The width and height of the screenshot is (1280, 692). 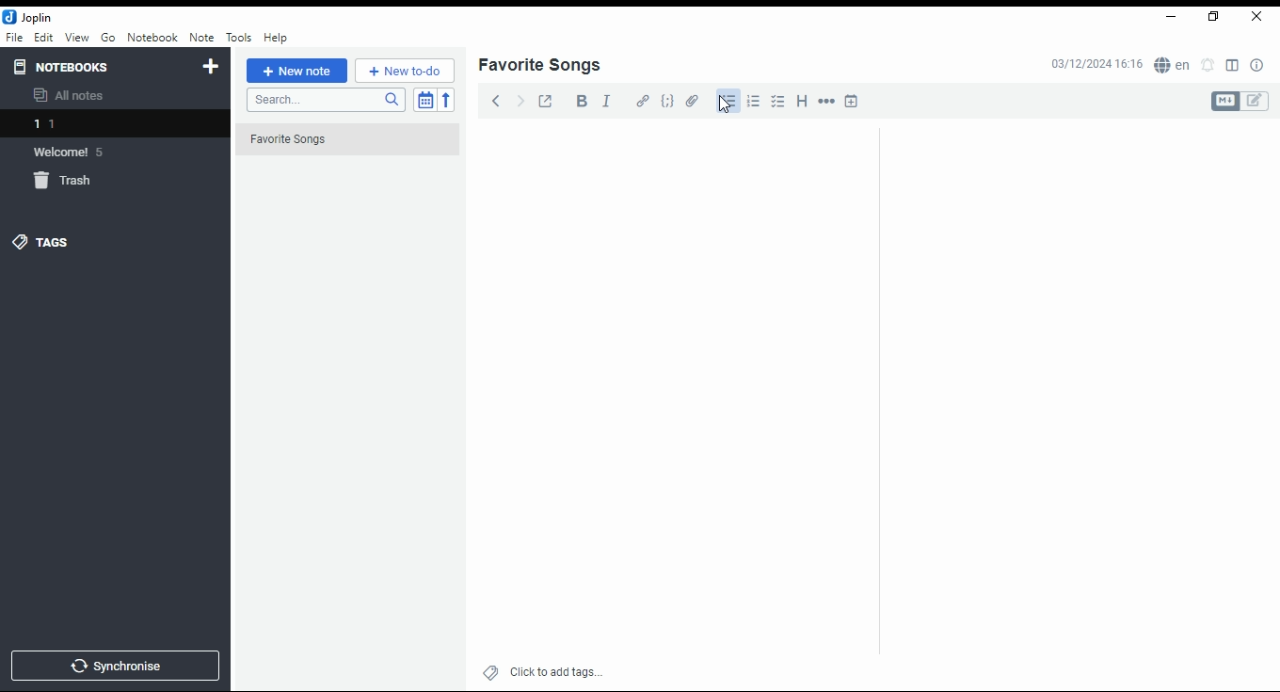 What do you see at coordinates (724, 106) in the screenshot?
I see `mouse pointer` at bounding box center [724, 106].